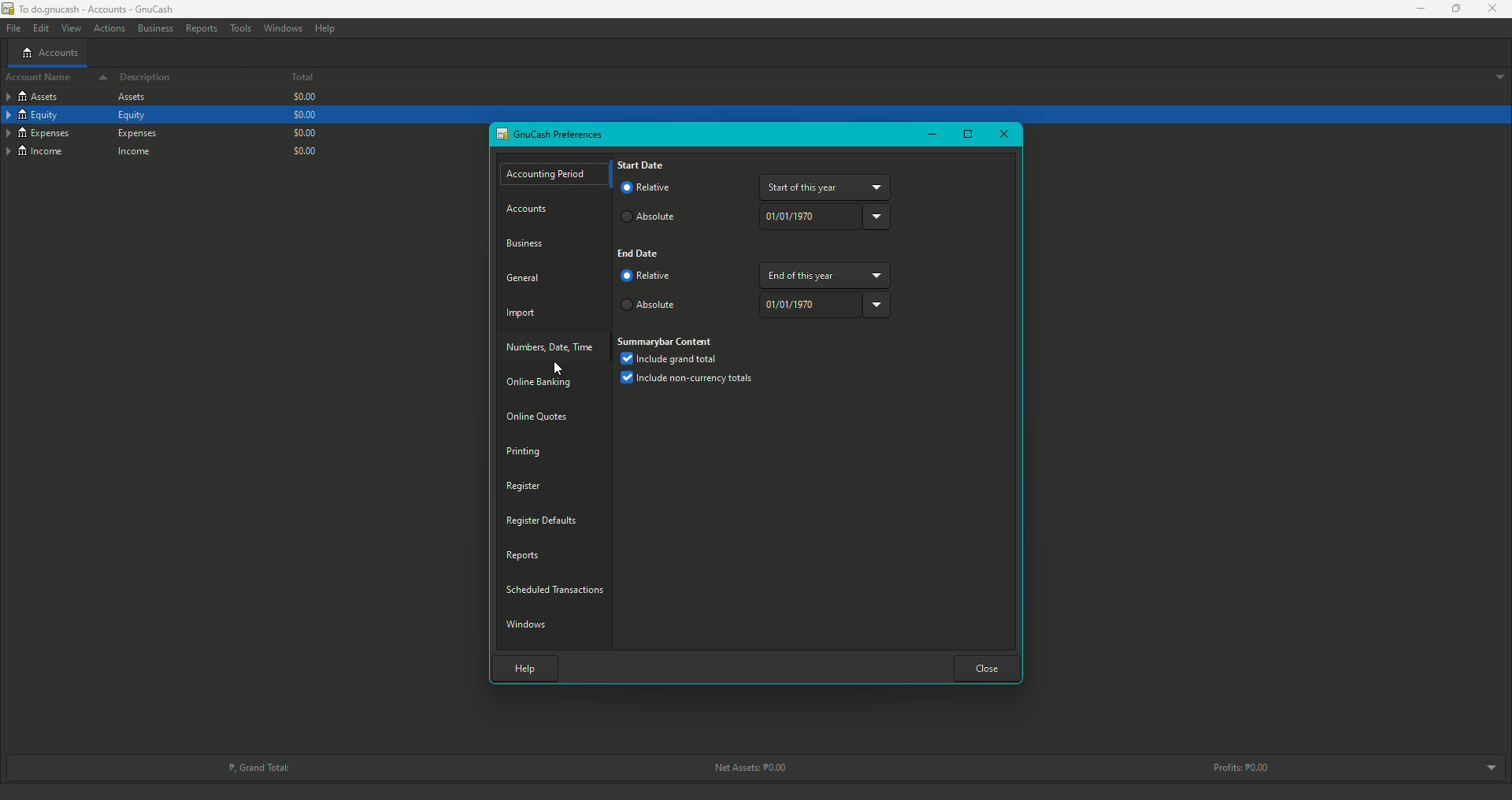 The height and width of the screenshot is (800, 1512). I want to click on View, so click(70, 28).